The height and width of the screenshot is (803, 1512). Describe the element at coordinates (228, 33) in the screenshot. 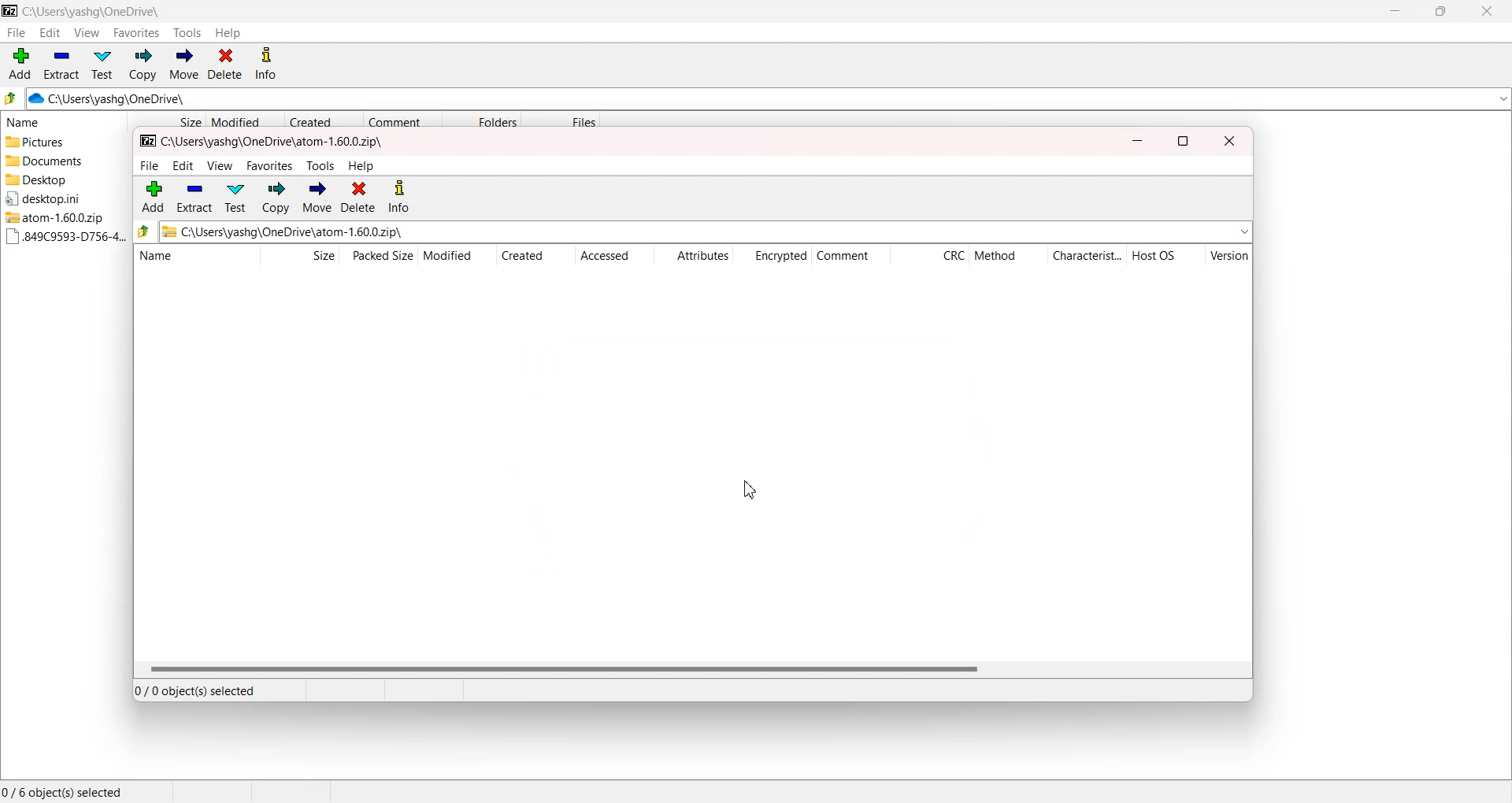

I see `Help` at that location.